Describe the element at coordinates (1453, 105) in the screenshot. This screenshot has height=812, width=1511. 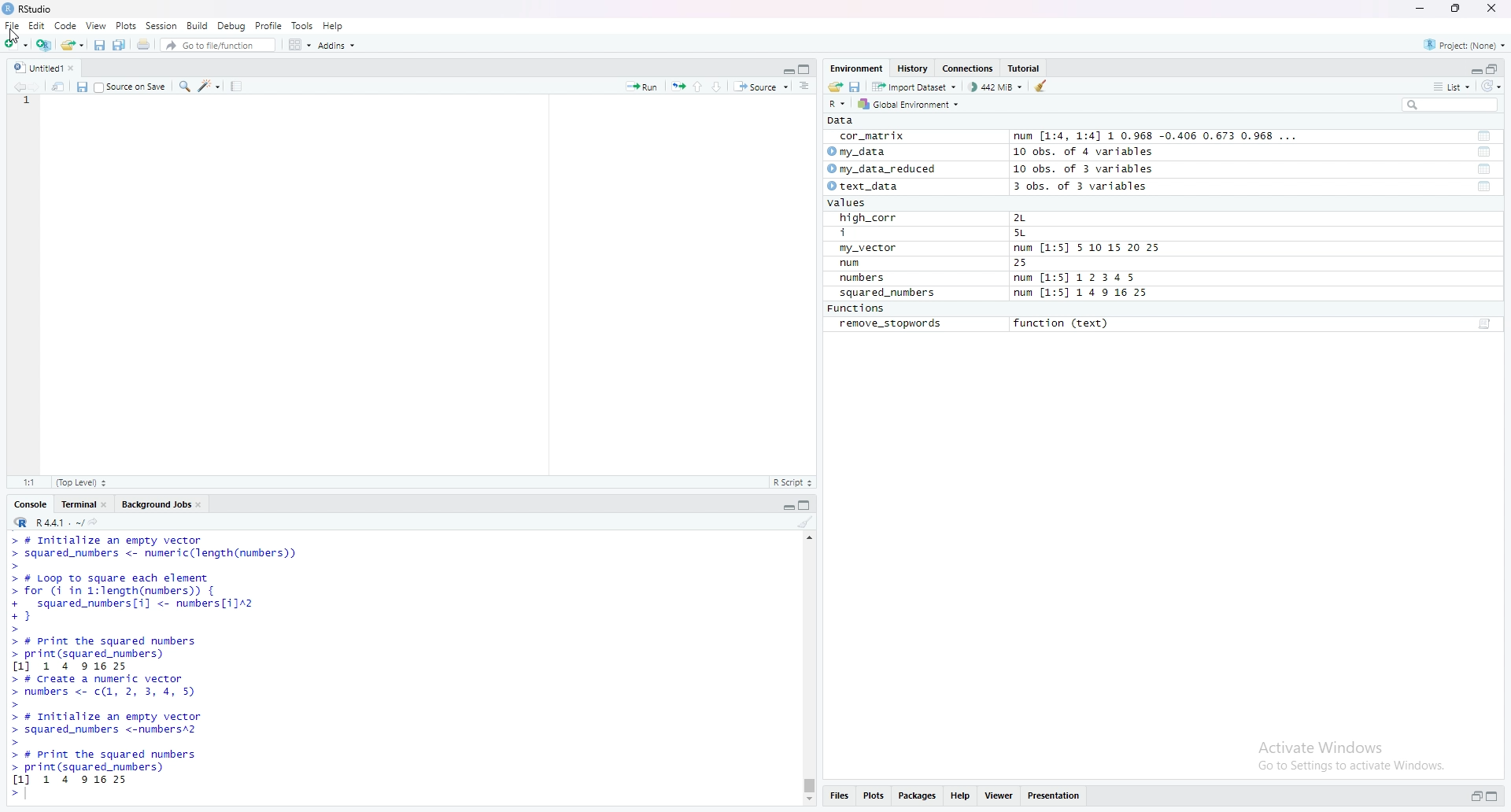
I see `search` at that location.